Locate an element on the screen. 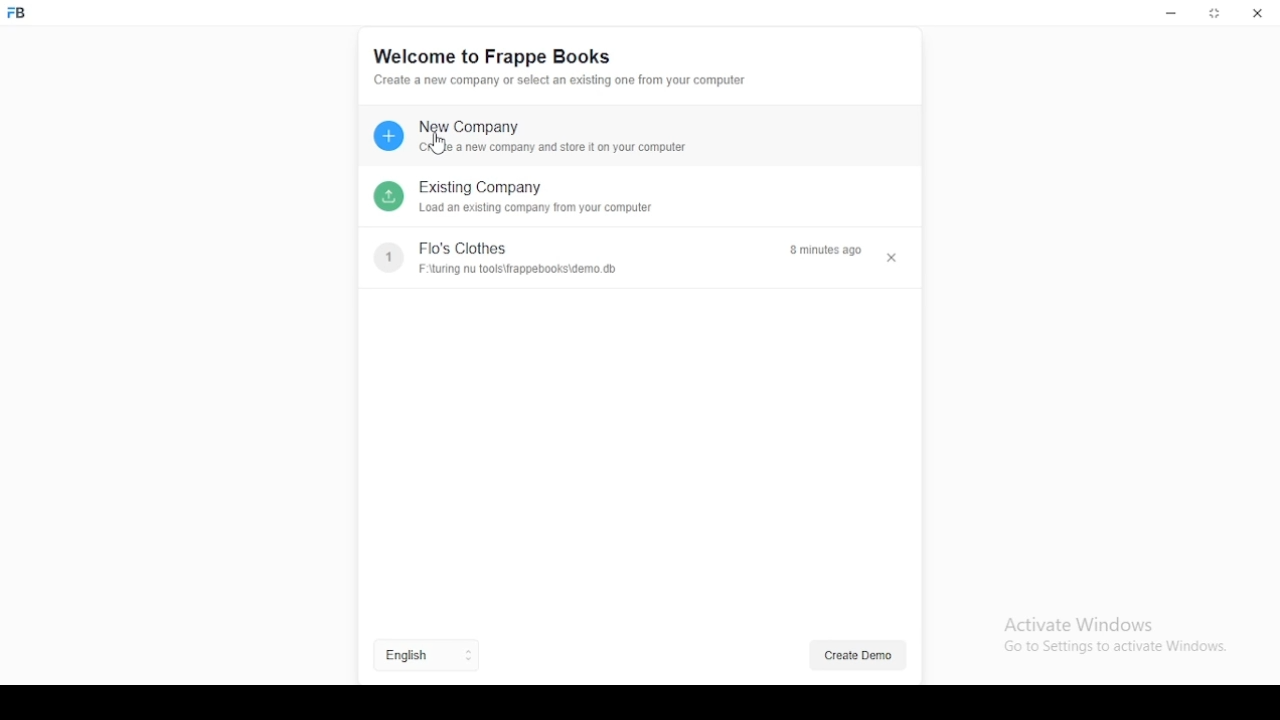 The image size is (1280, 720). new company Create a new company and store it on your computer is located at coordinates (534, 138).